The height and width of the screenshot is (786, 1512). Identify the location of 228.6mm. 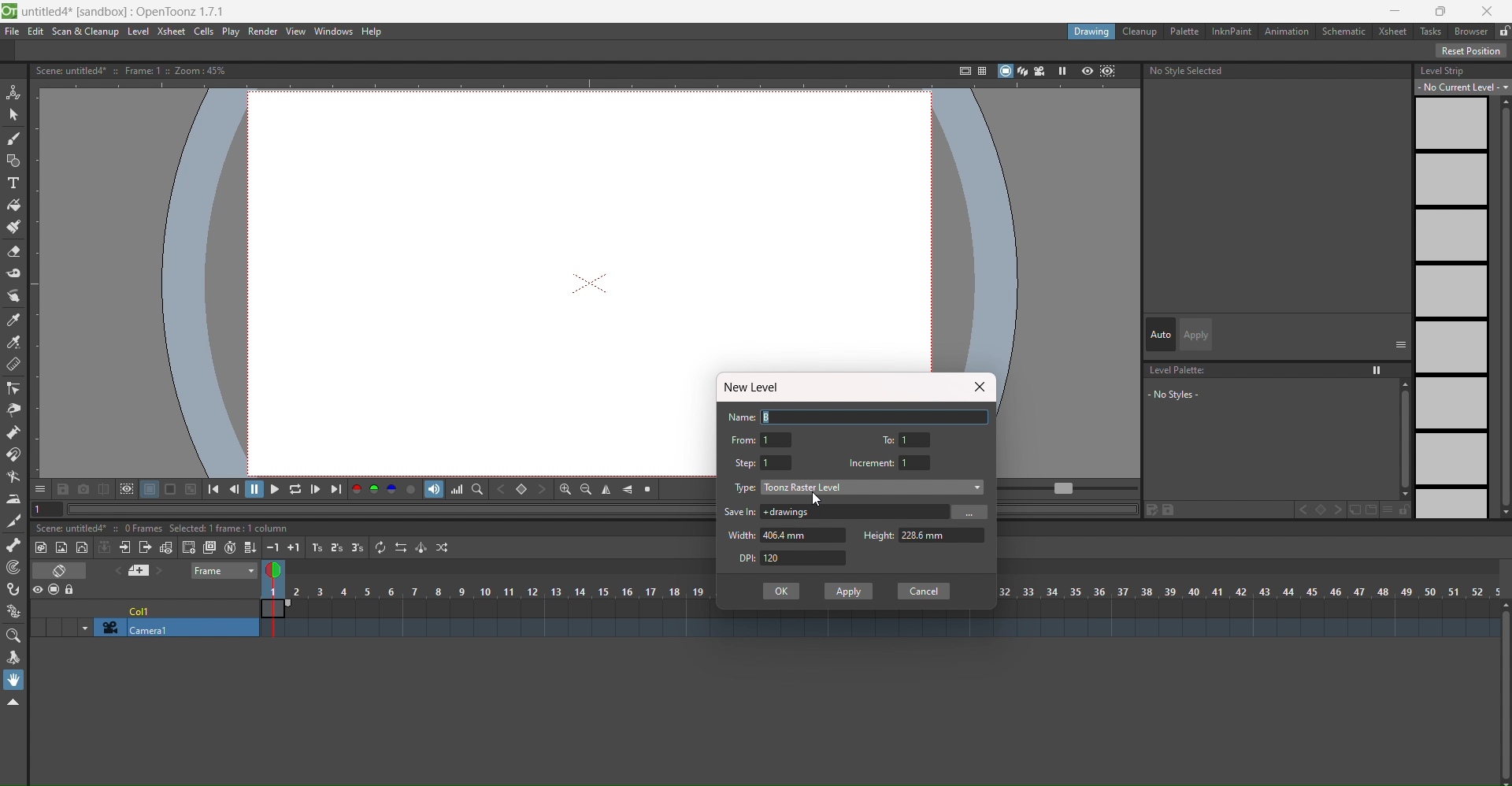
(943, 536).